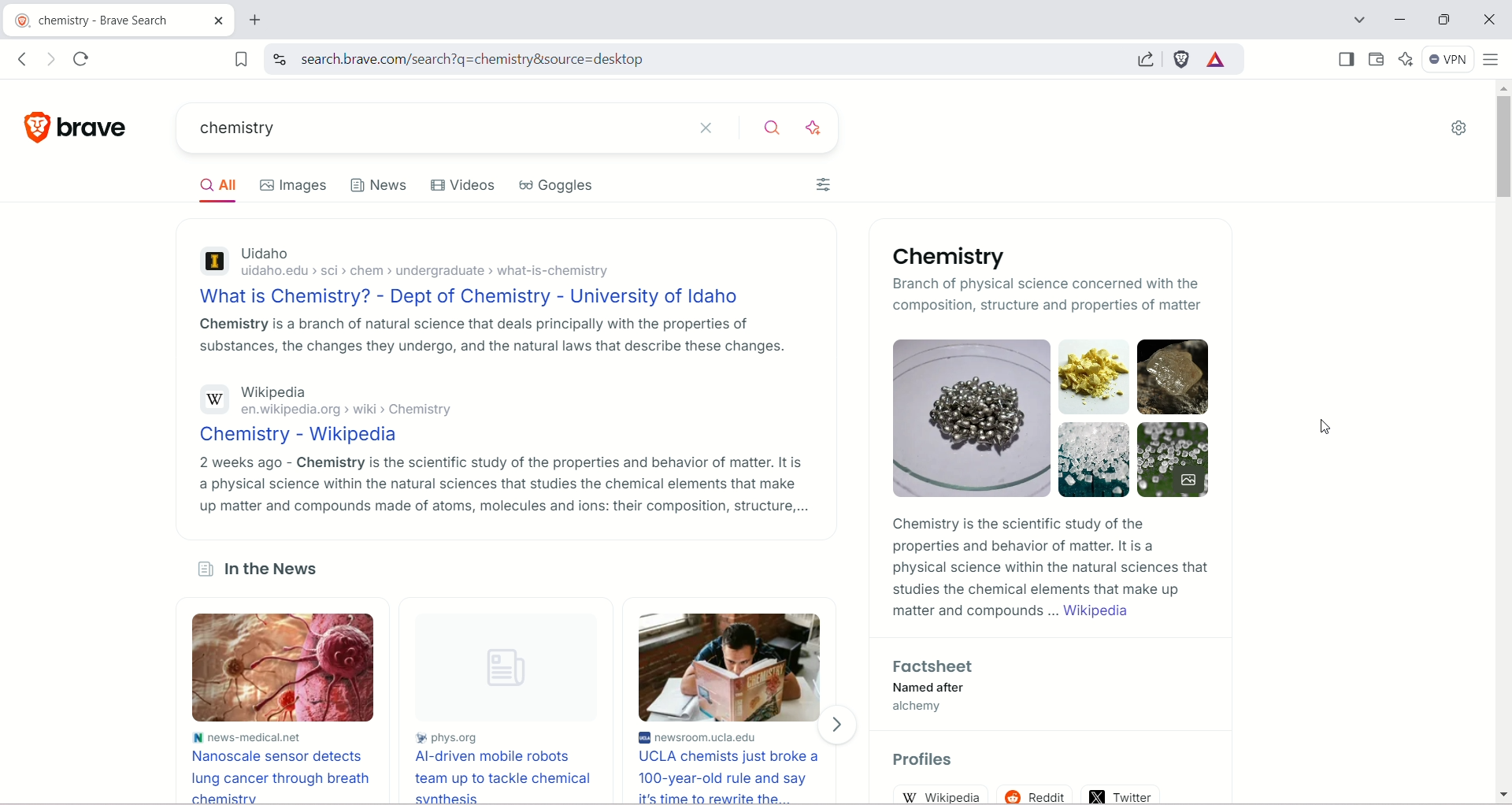  What do you see at coordinates (211, 397) in the screenshot?
I see `Wikipedia logo` at bounding box center [211, 397].